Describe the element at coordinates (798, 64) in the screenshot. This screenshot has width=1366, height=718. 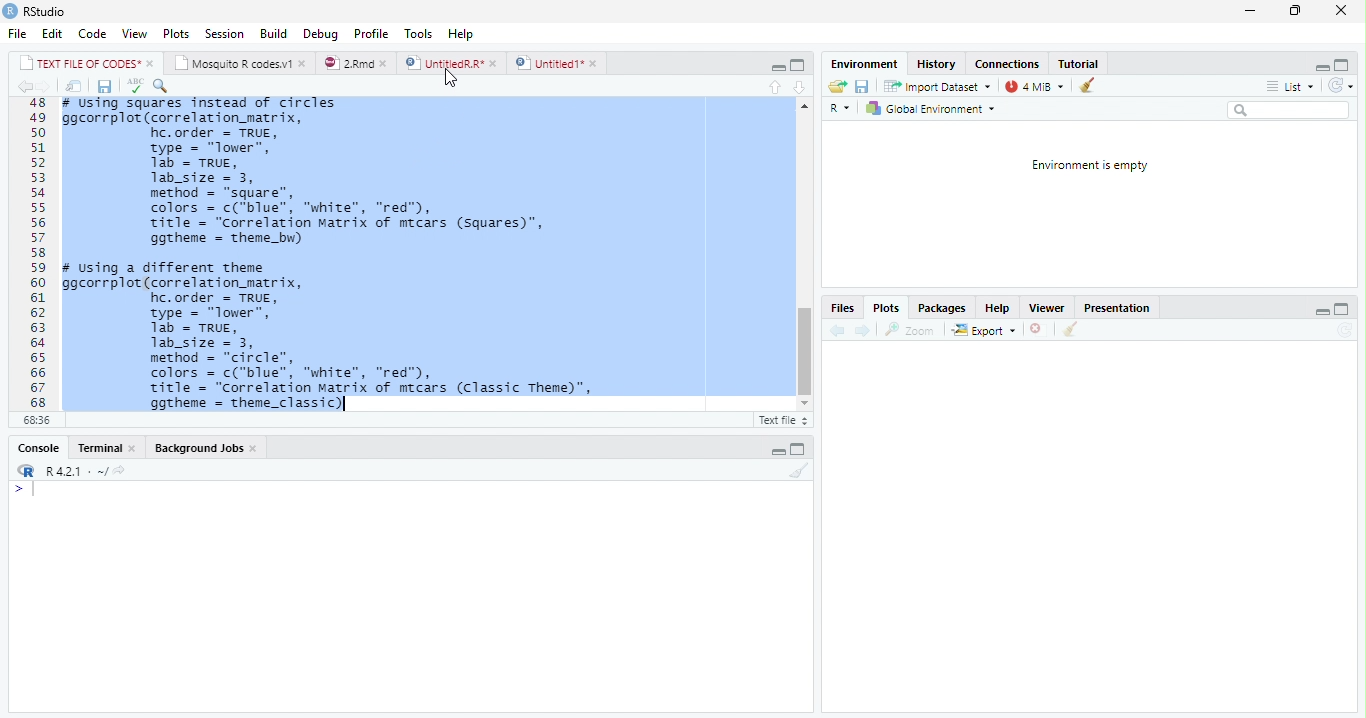
I see `hide console` at that location.